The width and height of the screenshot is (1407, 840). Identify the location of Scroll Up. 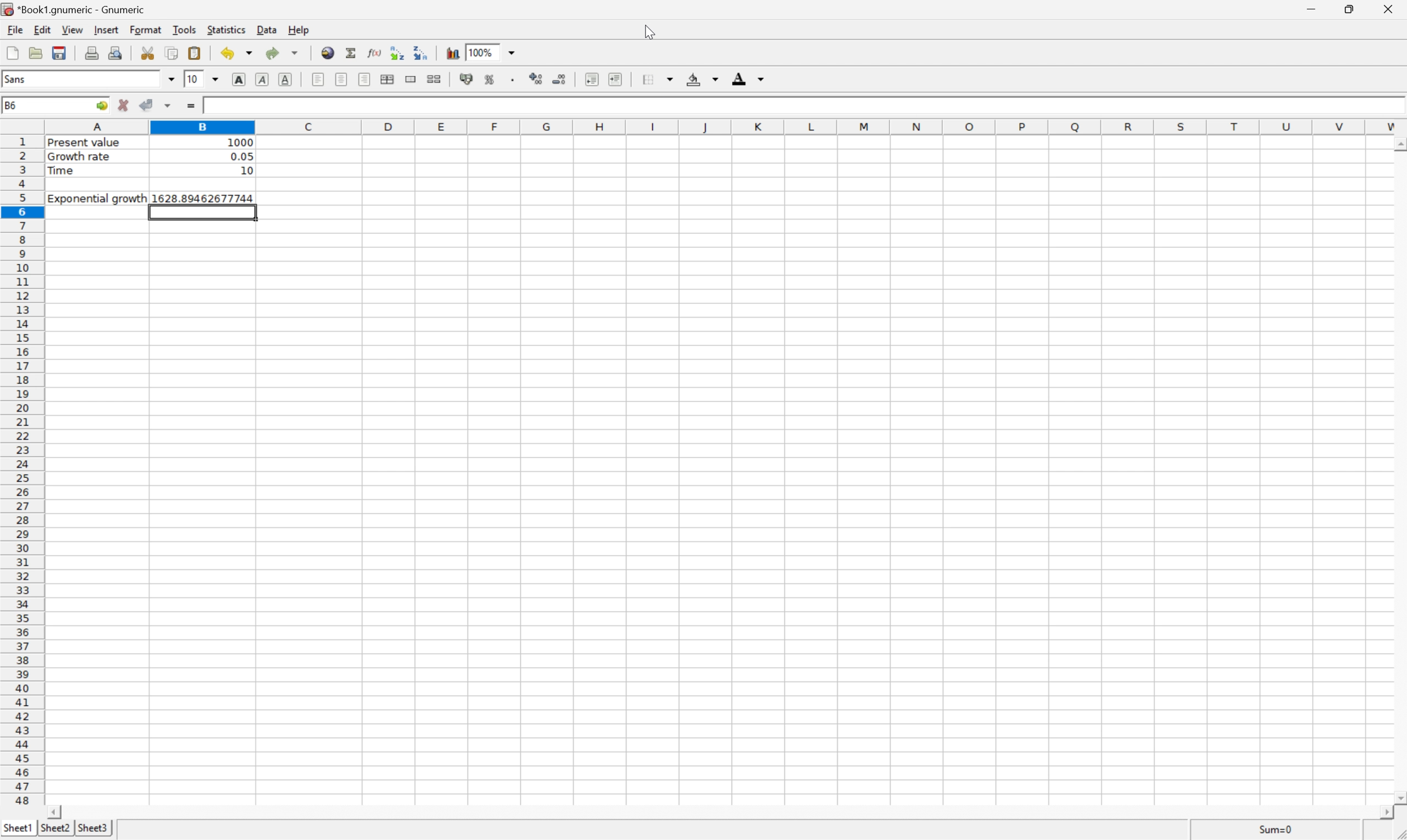
(1397, 146).